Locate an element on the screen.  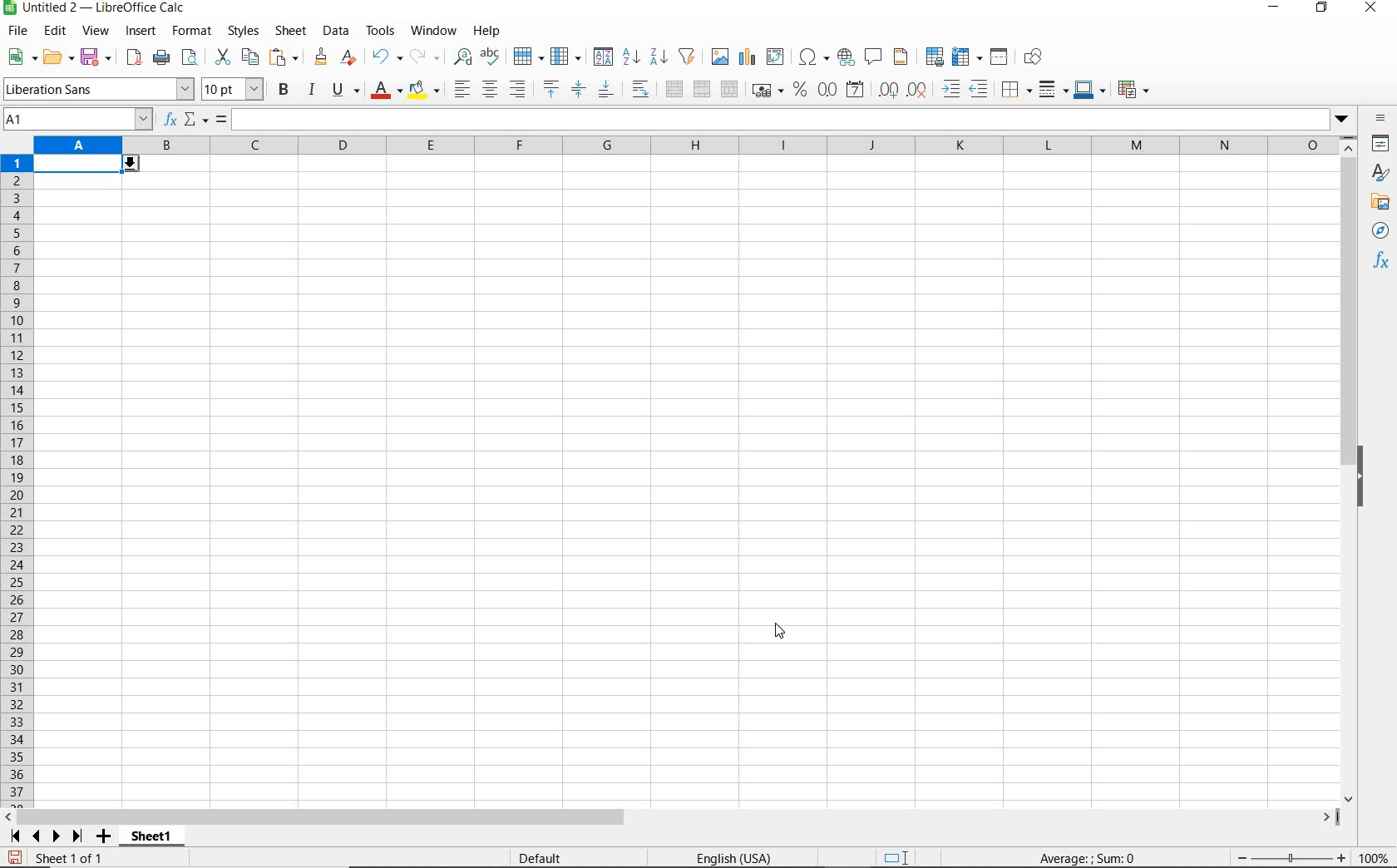
print is located at coordinates (161, 57).